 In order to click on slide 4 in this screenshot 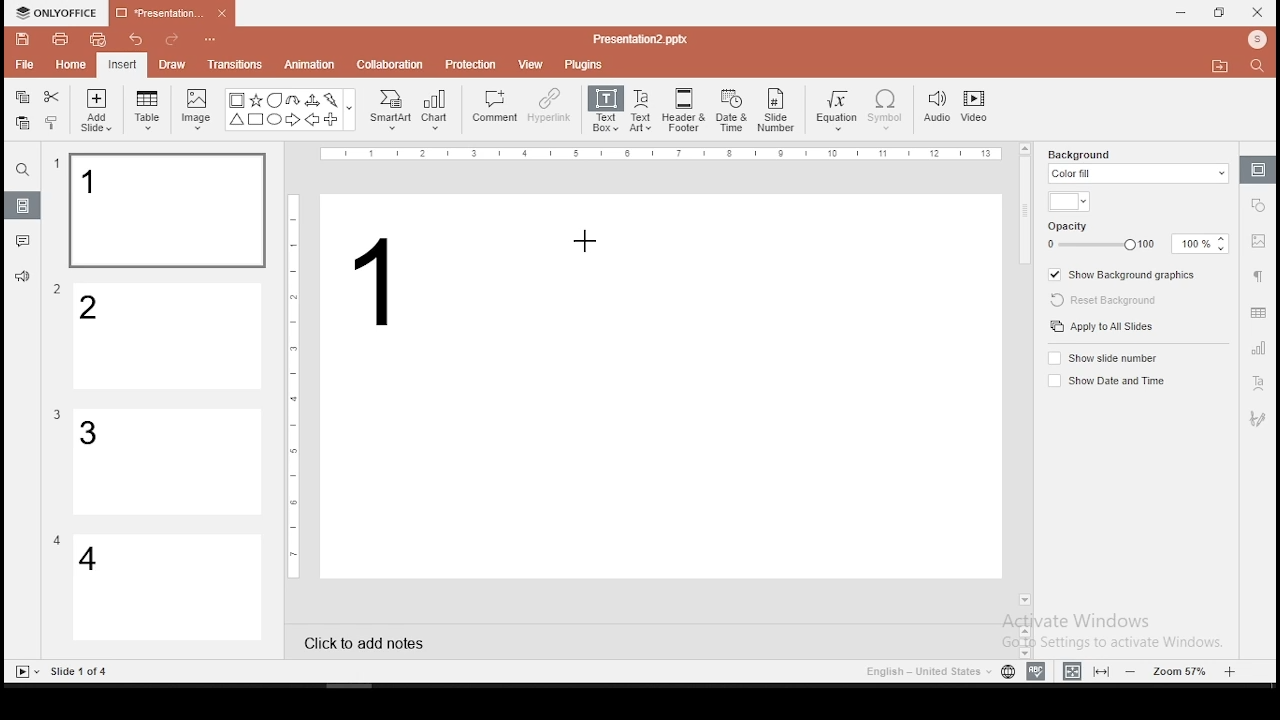, I will do `click(168, 589)`.